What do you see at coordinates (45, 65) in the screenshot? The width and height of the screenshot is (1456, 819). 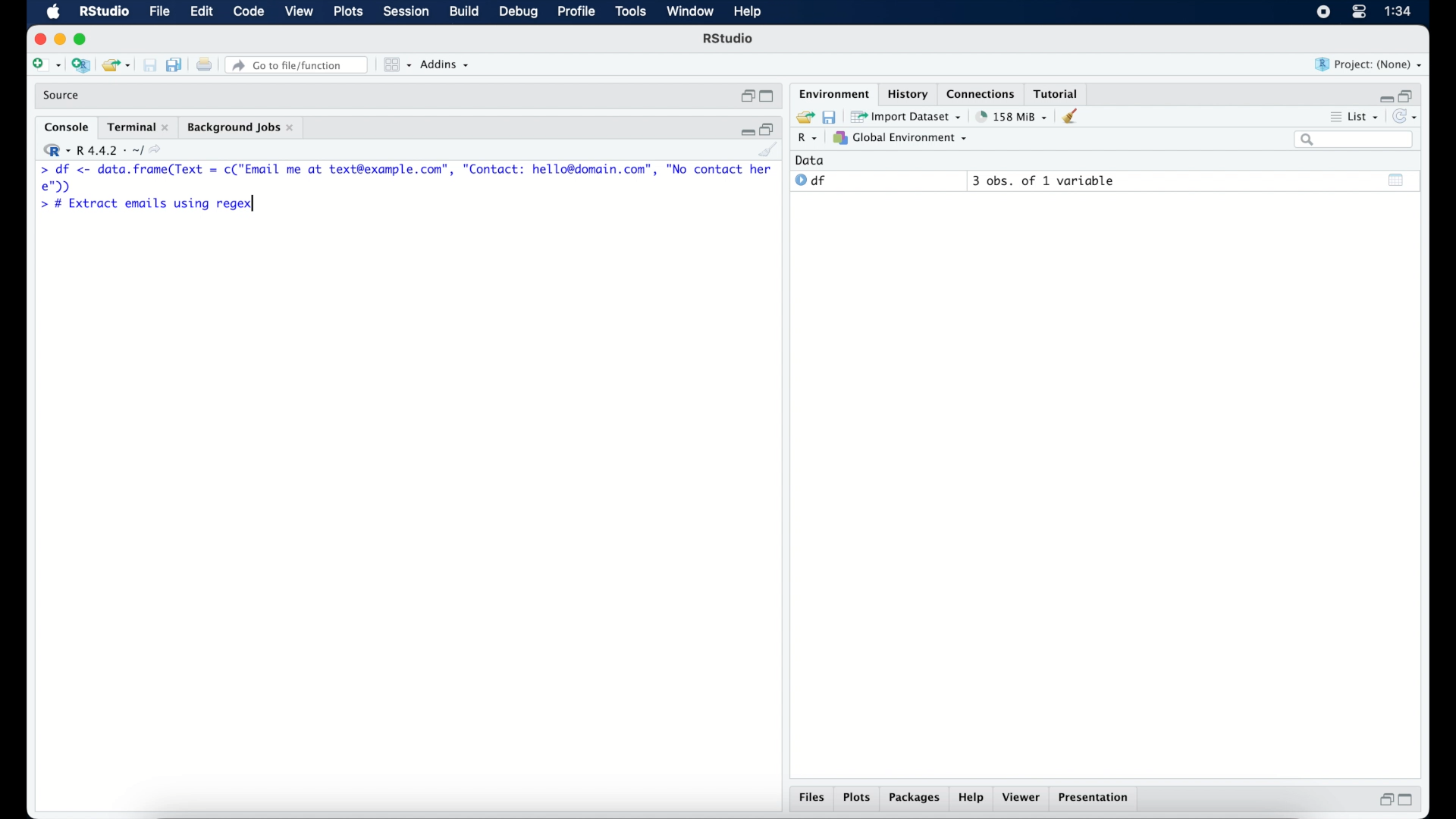 I see `create new file` at bounding box center [45, 65].